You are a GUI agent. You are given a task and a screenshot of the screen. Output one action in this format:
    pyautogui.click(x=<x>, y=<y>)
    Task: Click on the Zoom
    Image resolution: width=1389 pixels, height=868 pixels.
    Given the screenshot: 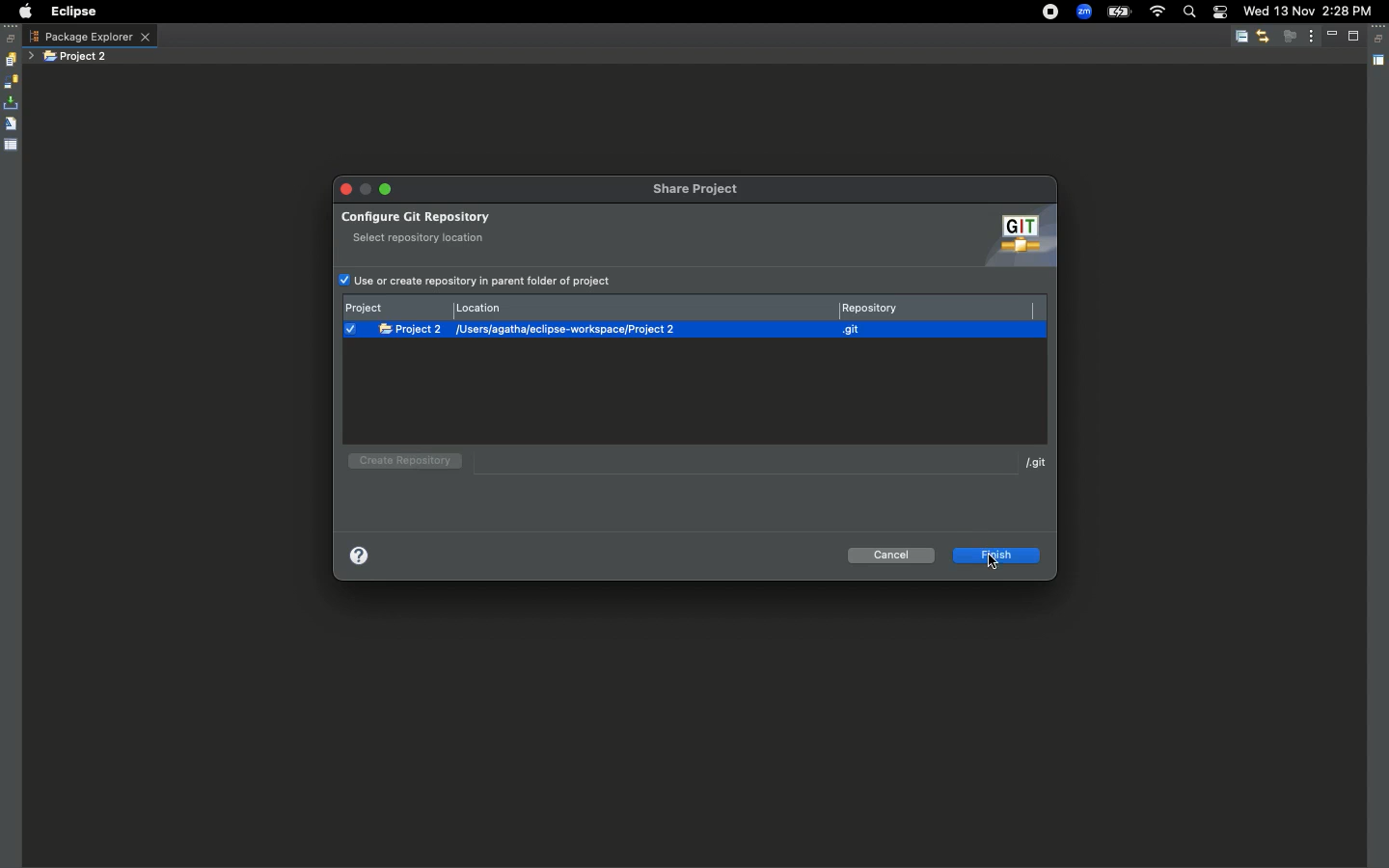 What is the action you would take?
    pyautogui.click(x=1084, y=13)
    